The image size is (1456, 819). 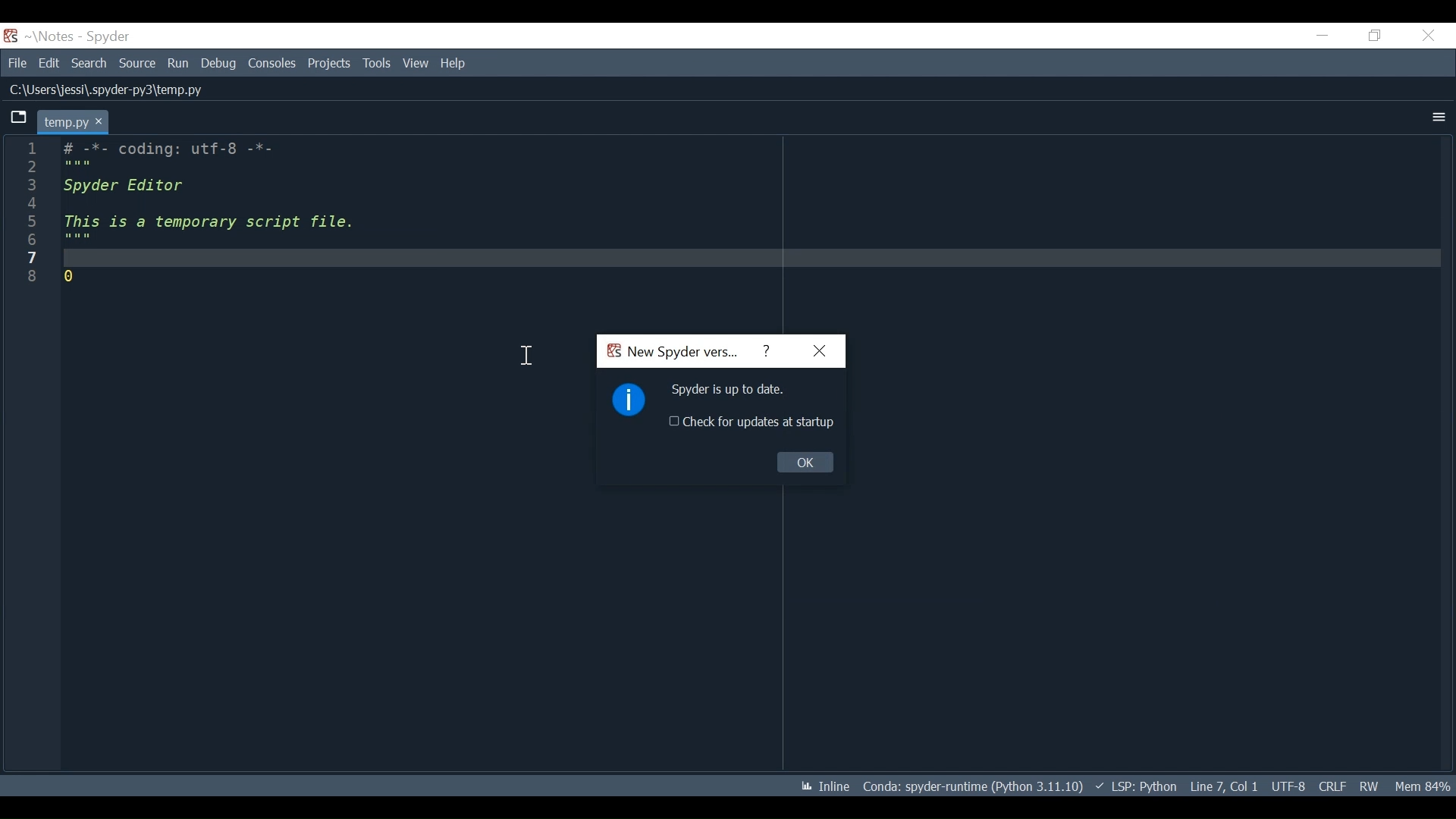 I want to click on Run, so click(x=179, y=64).